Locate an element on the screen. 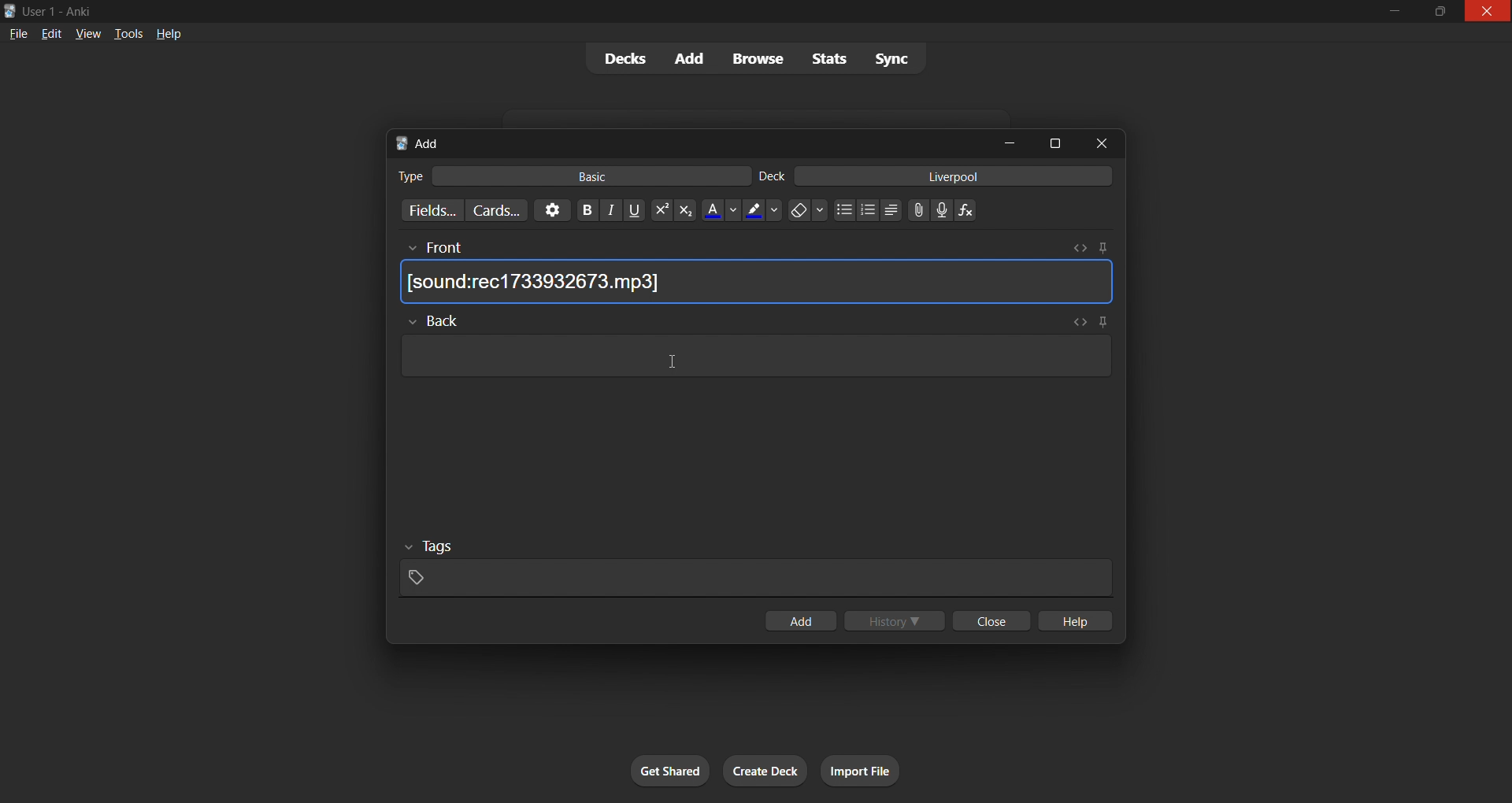 The image size is (1512, 803). audio file  is located at coordinates (762, 282).